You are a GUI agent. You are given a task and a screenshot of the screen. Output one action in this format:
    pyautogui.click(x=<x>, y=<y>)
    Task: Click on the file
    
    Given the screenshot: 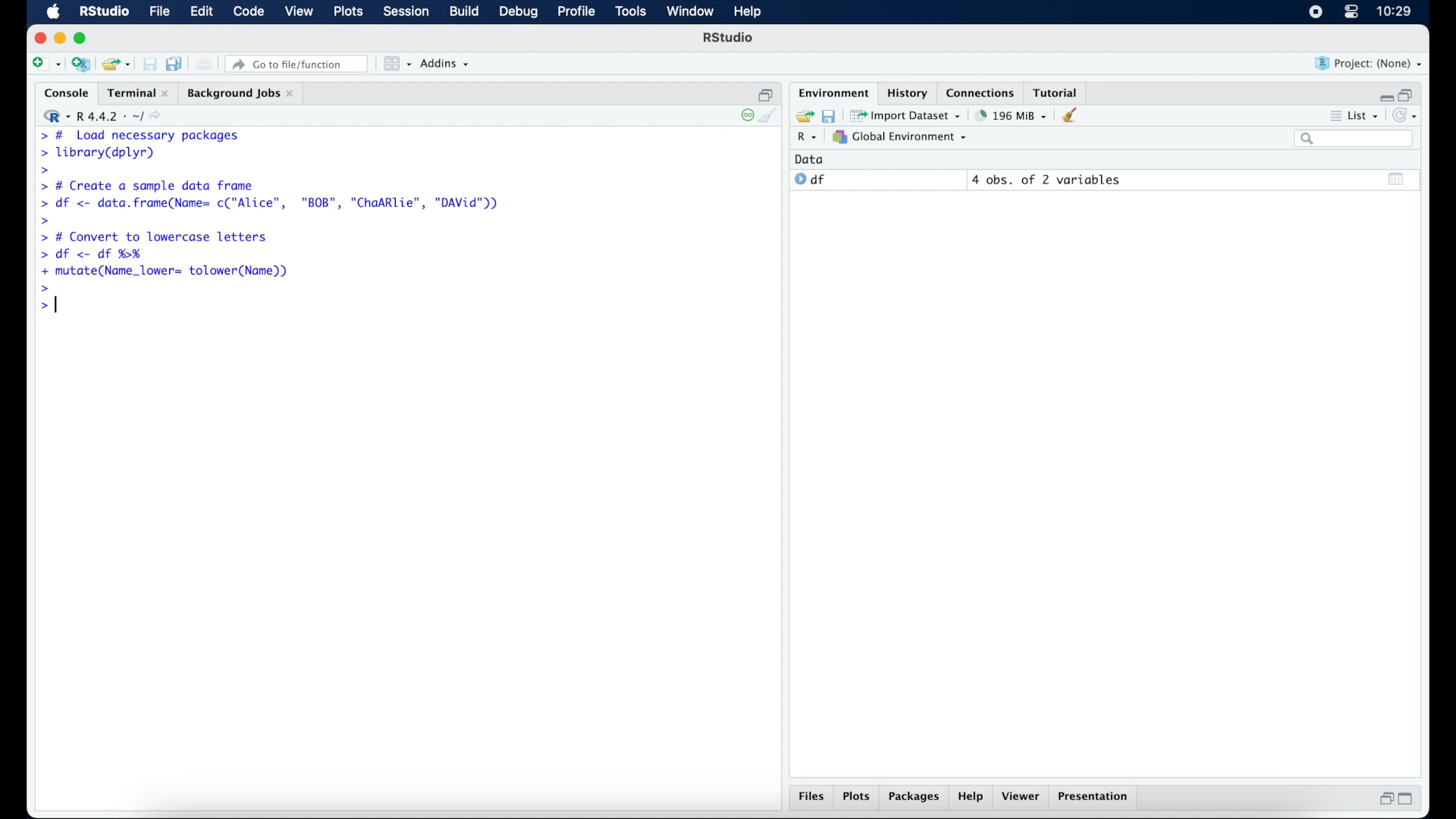 What is the action you would take?
    pyautogui.click(x=158, y=12)
    